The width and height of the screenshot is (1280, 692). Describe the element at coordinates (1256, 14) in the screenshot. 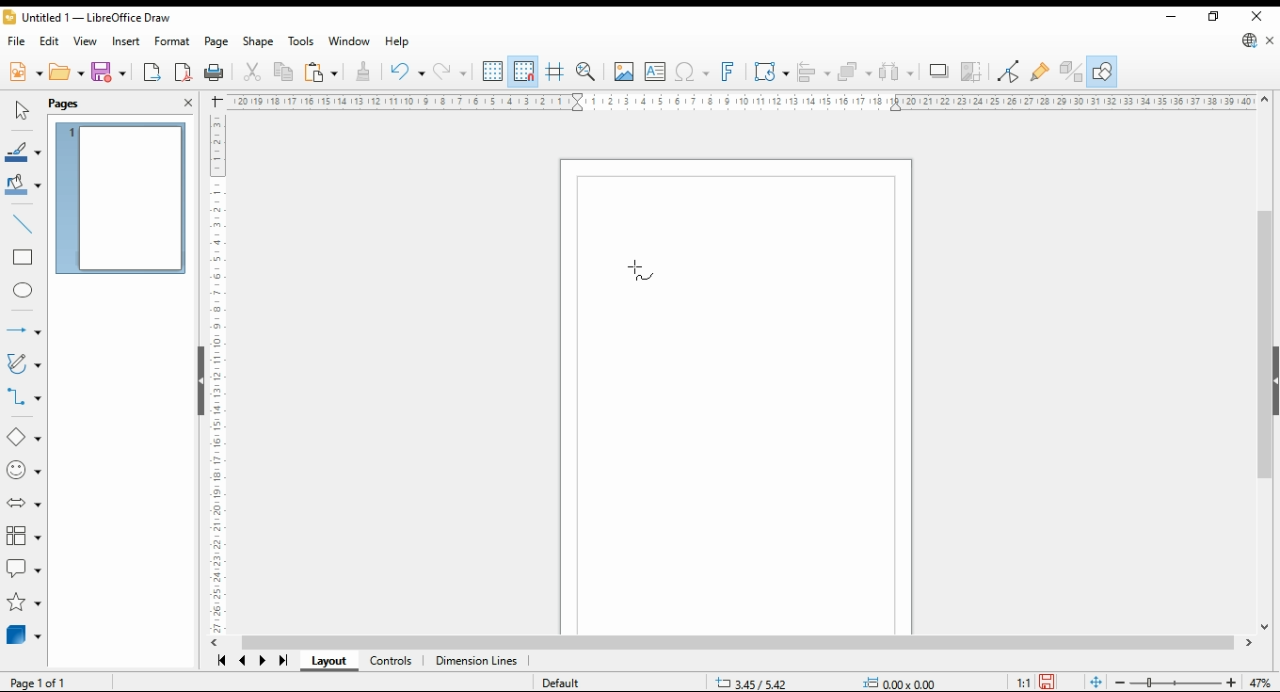

I see `close window` at that location.